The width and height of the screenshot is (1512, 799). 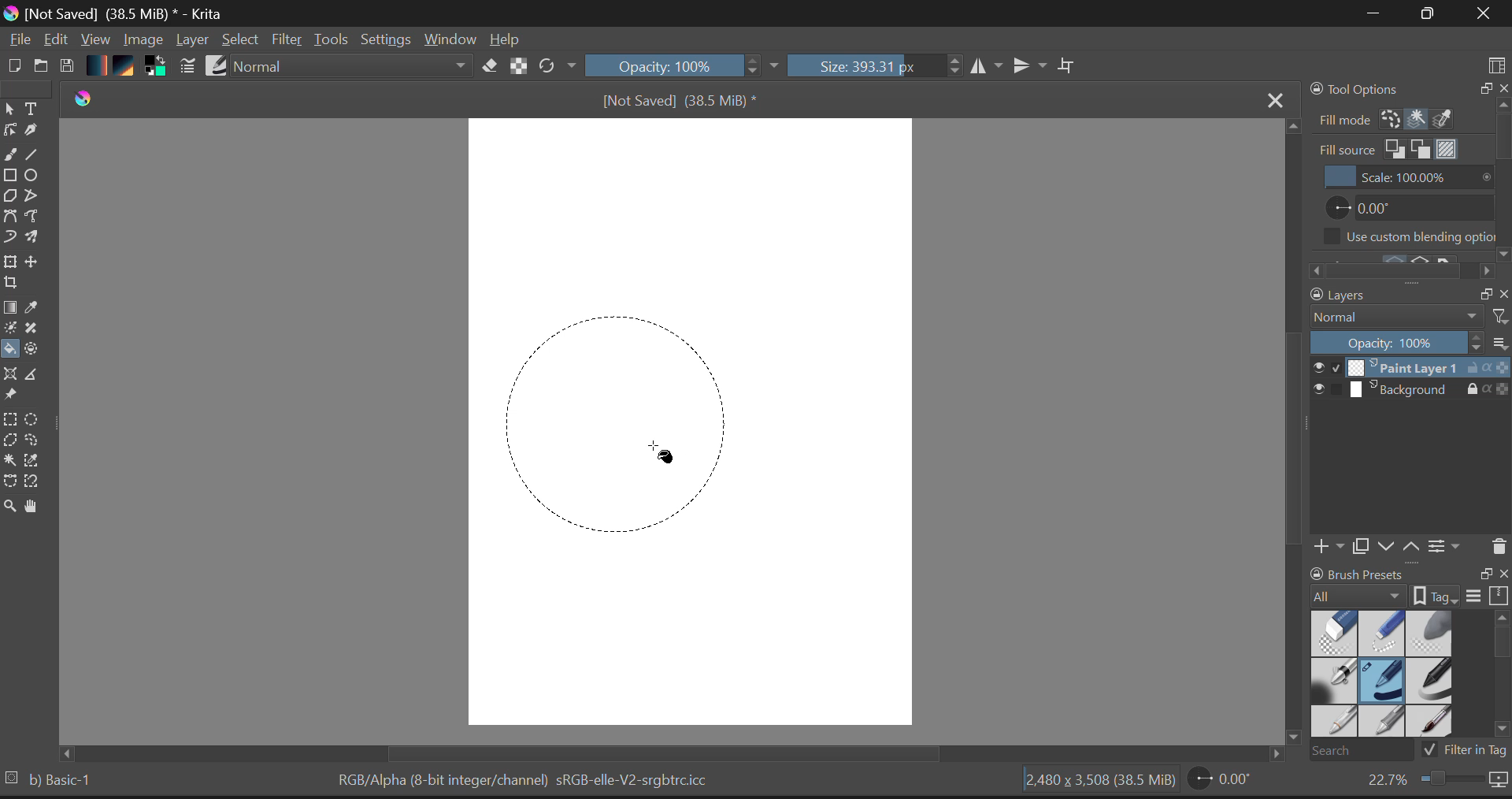 What do you see at coordinates (1423, 13) in the screenshot?
I see `Minimize` at bounding box center [1423, 13].